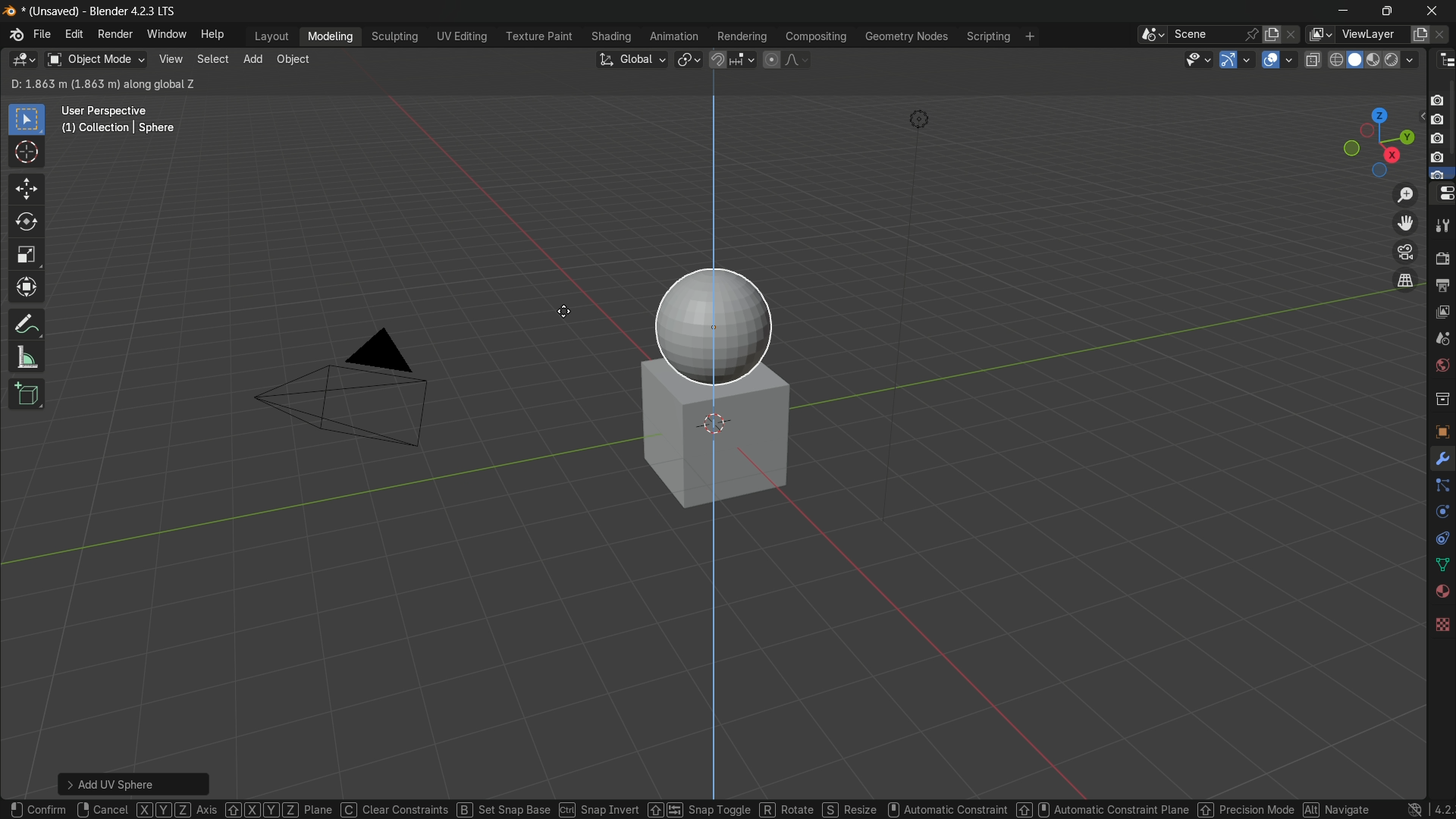  I want to click on cursor, so click(27, 155).